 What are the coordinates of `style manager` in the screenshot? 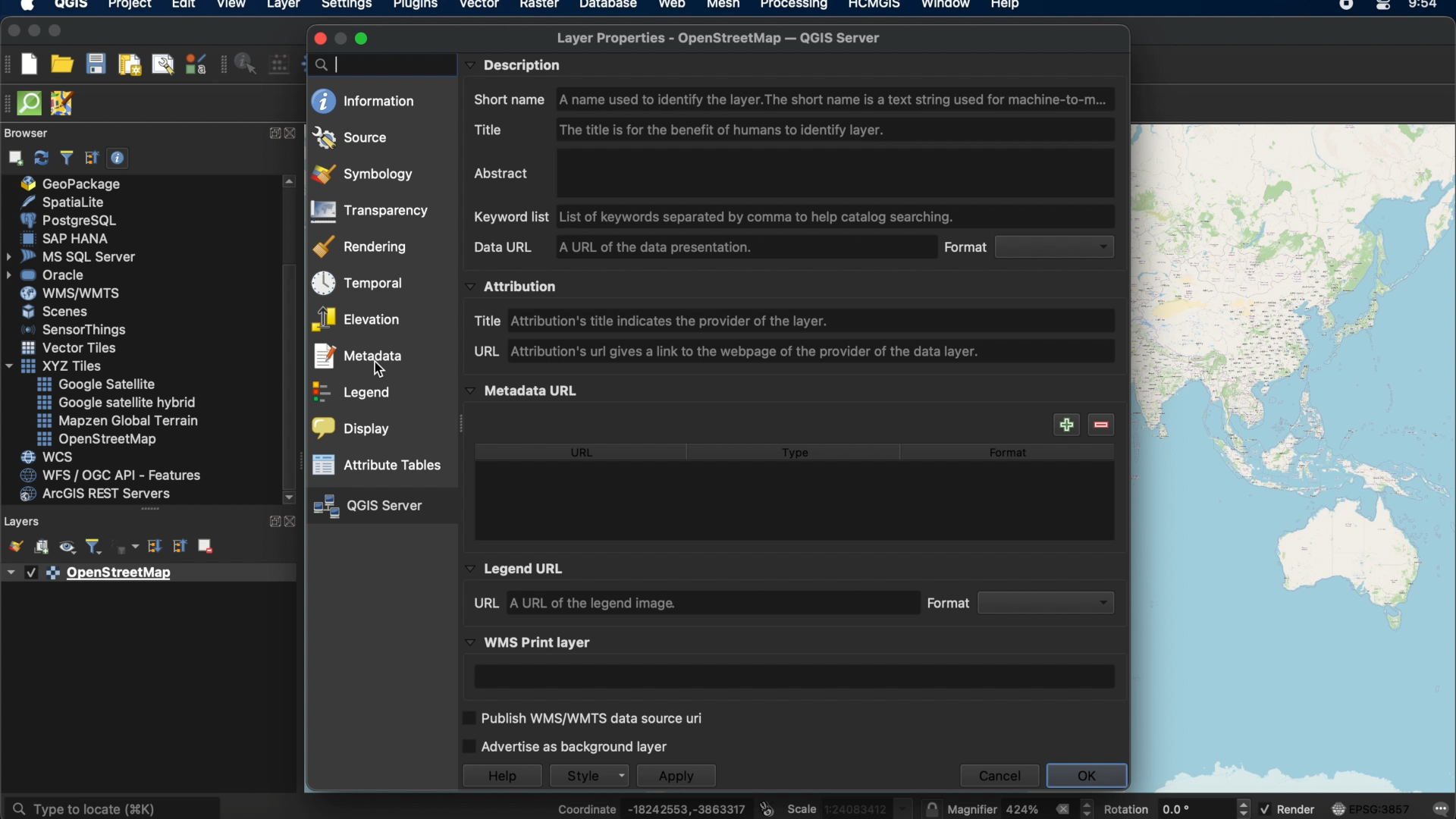 It's located at (194, 66).